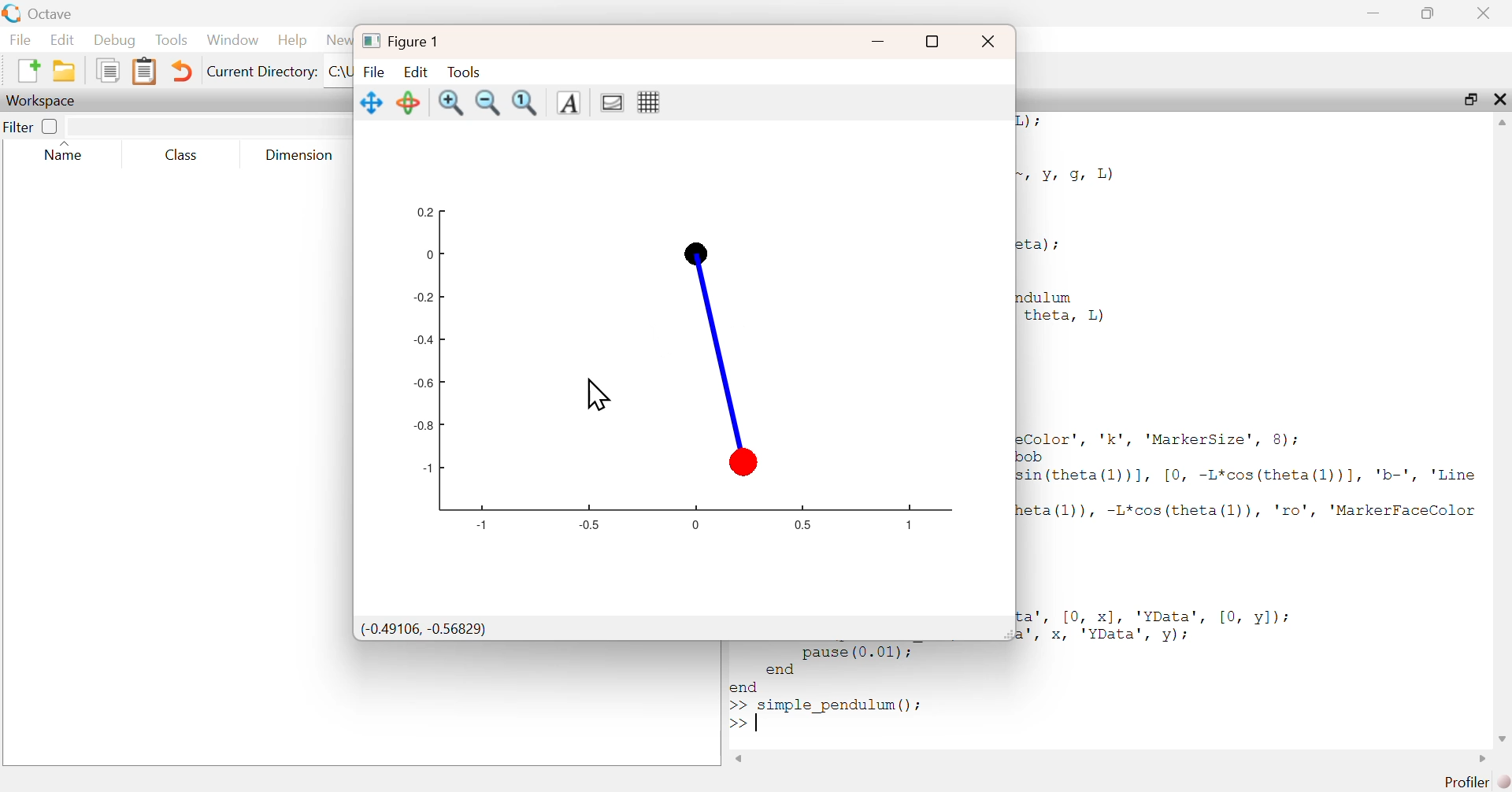  Describe the element at coordinates (933, 40) in the screenshot. I see `Maximize` at that location.